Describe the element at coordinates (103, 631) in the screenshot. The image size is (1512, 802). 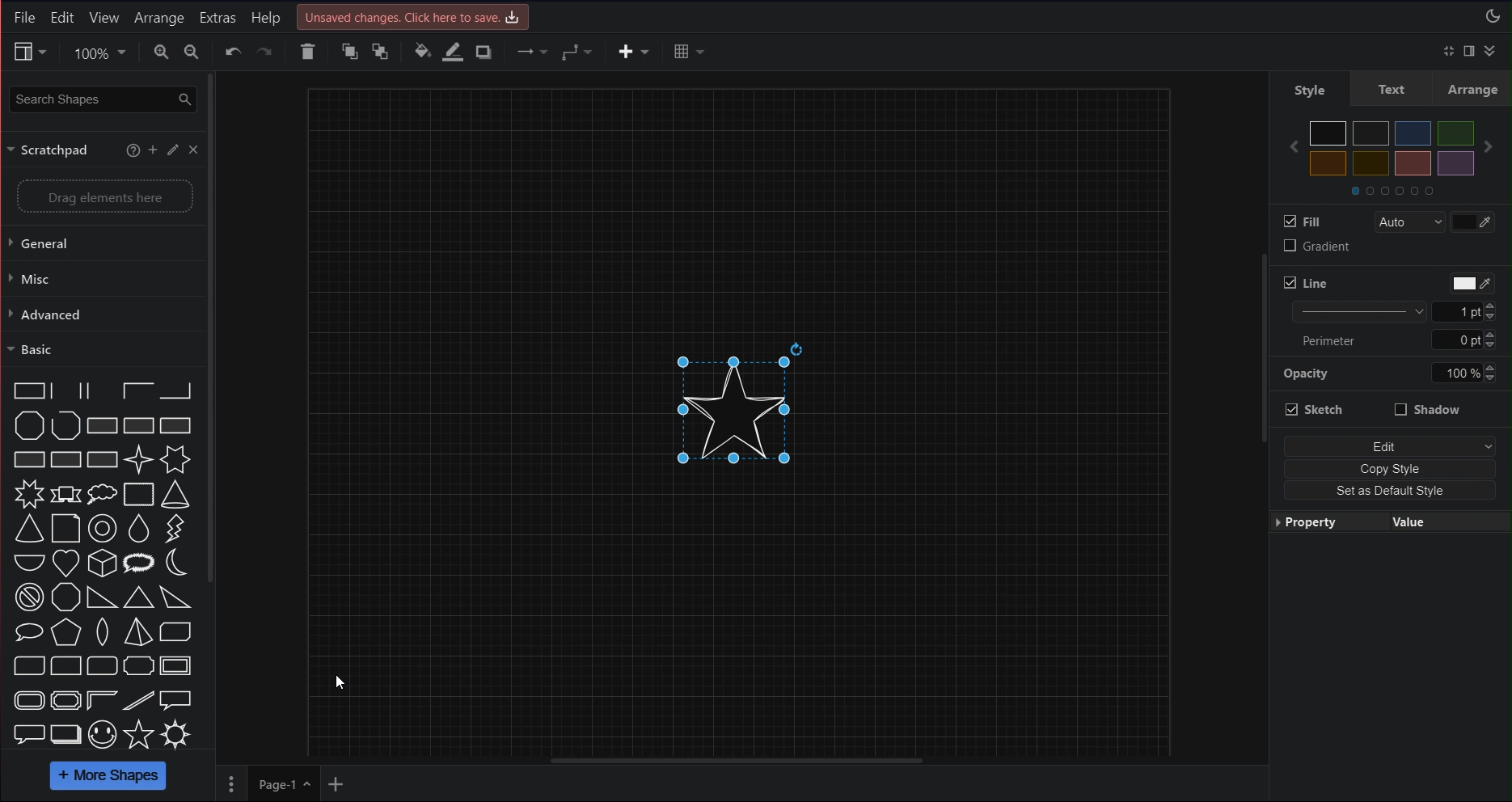
I see `pointed oval` at that location.